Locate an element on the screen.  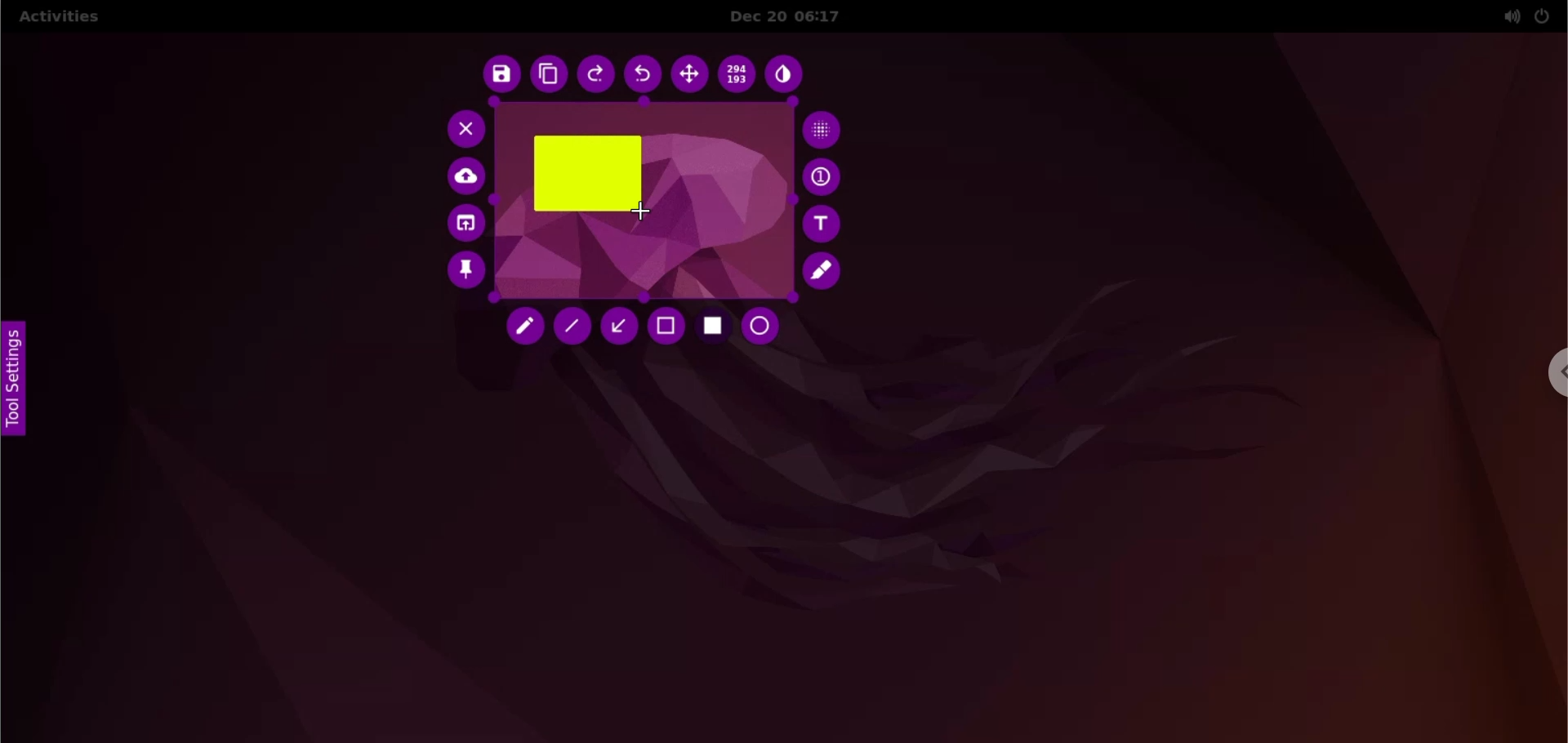
auto increment is located at coordinates (824, 176).